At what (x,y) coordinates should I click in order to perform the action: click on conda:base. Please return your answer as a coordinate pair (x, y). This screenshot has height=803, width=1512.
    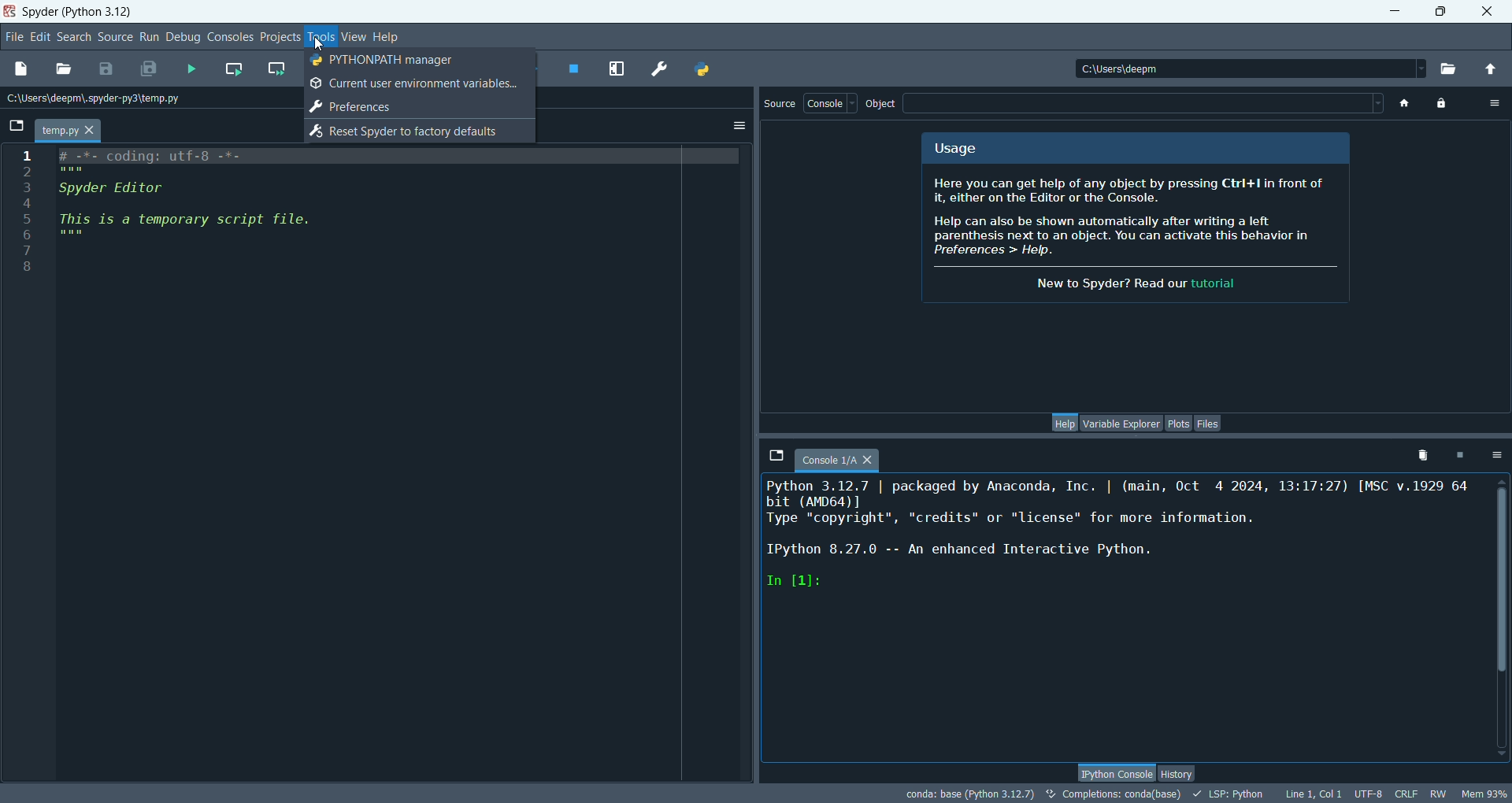
    Looking at the image, I should click on (968, 794).